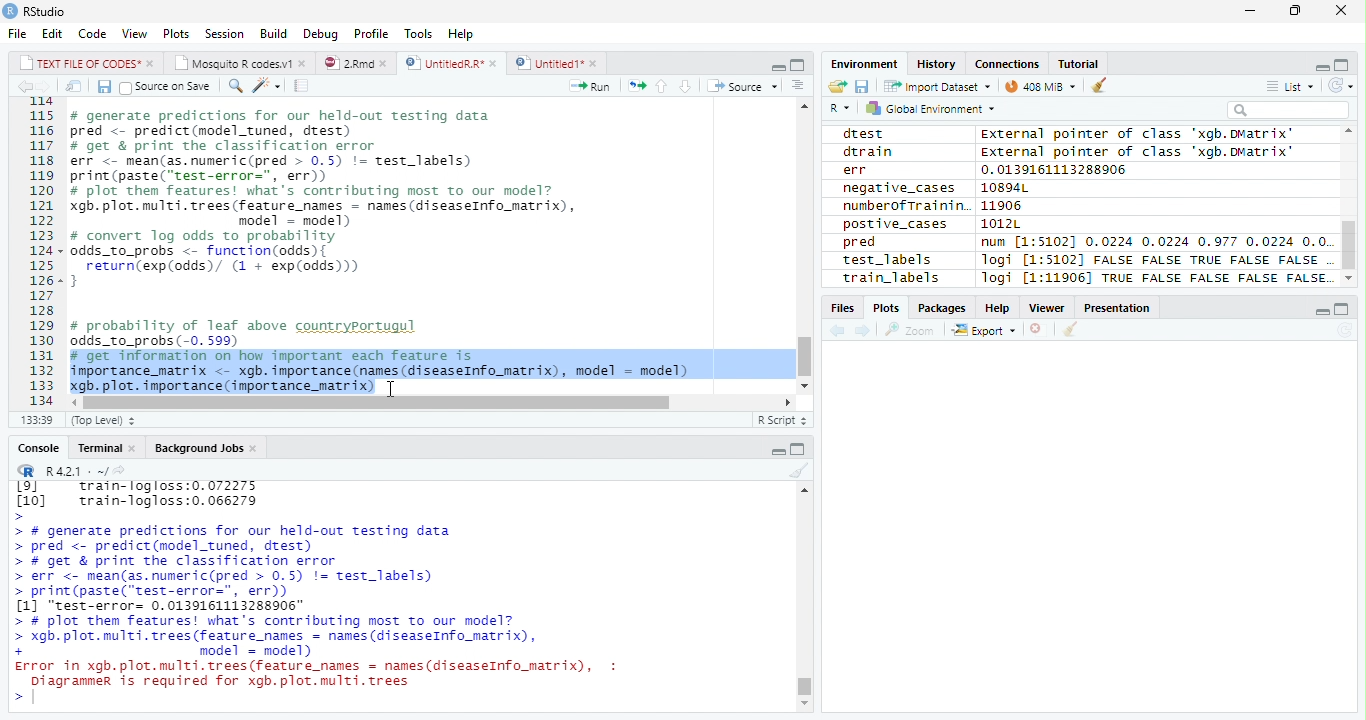 The height and width of the screenshot is (720, 1366). What do you see at coordinates (1003, 205) in the screenshot?
I see `11906` at bounding box center [1003, 205].